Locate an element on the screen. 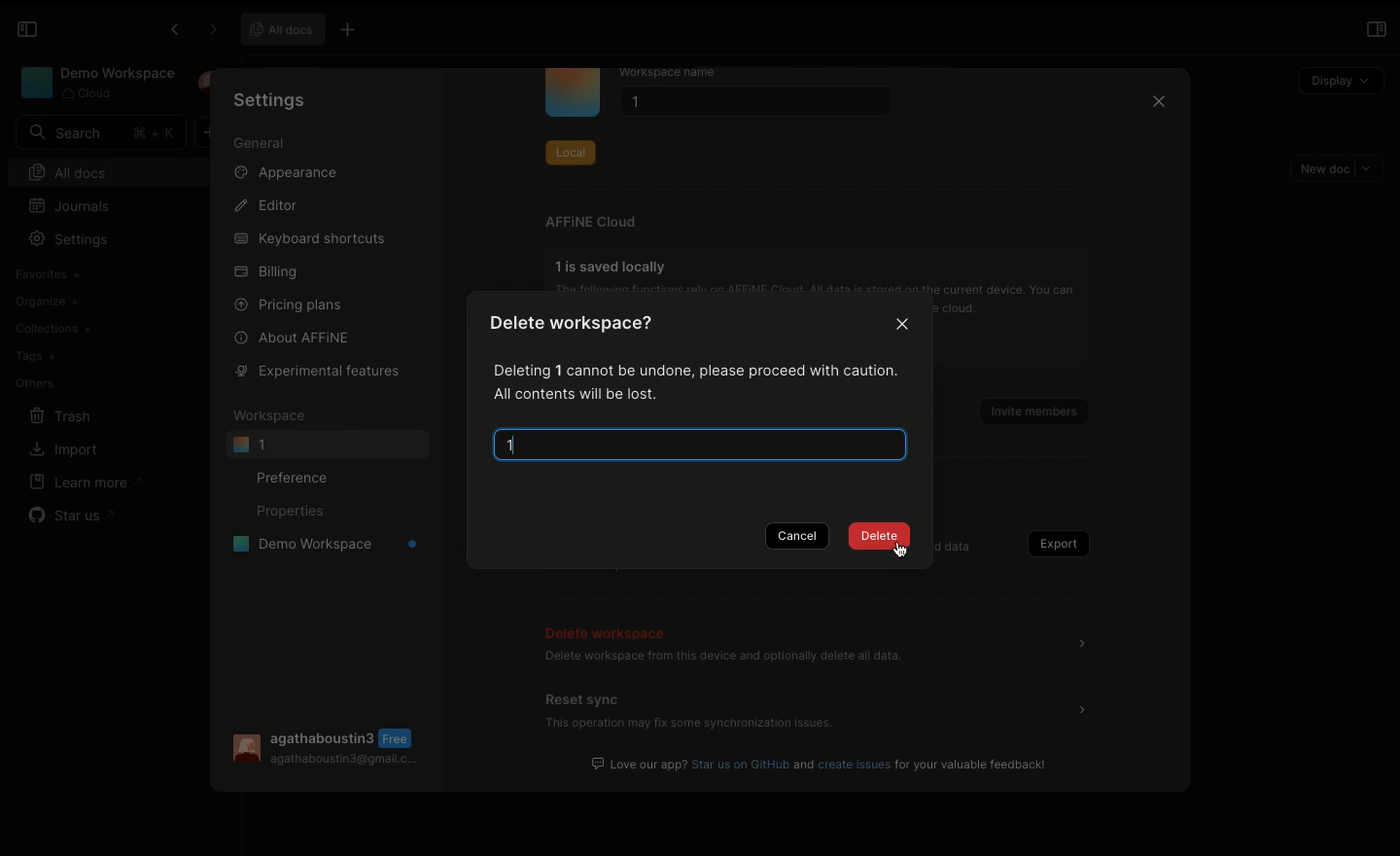  Tags is located at coordinates (35, 356).